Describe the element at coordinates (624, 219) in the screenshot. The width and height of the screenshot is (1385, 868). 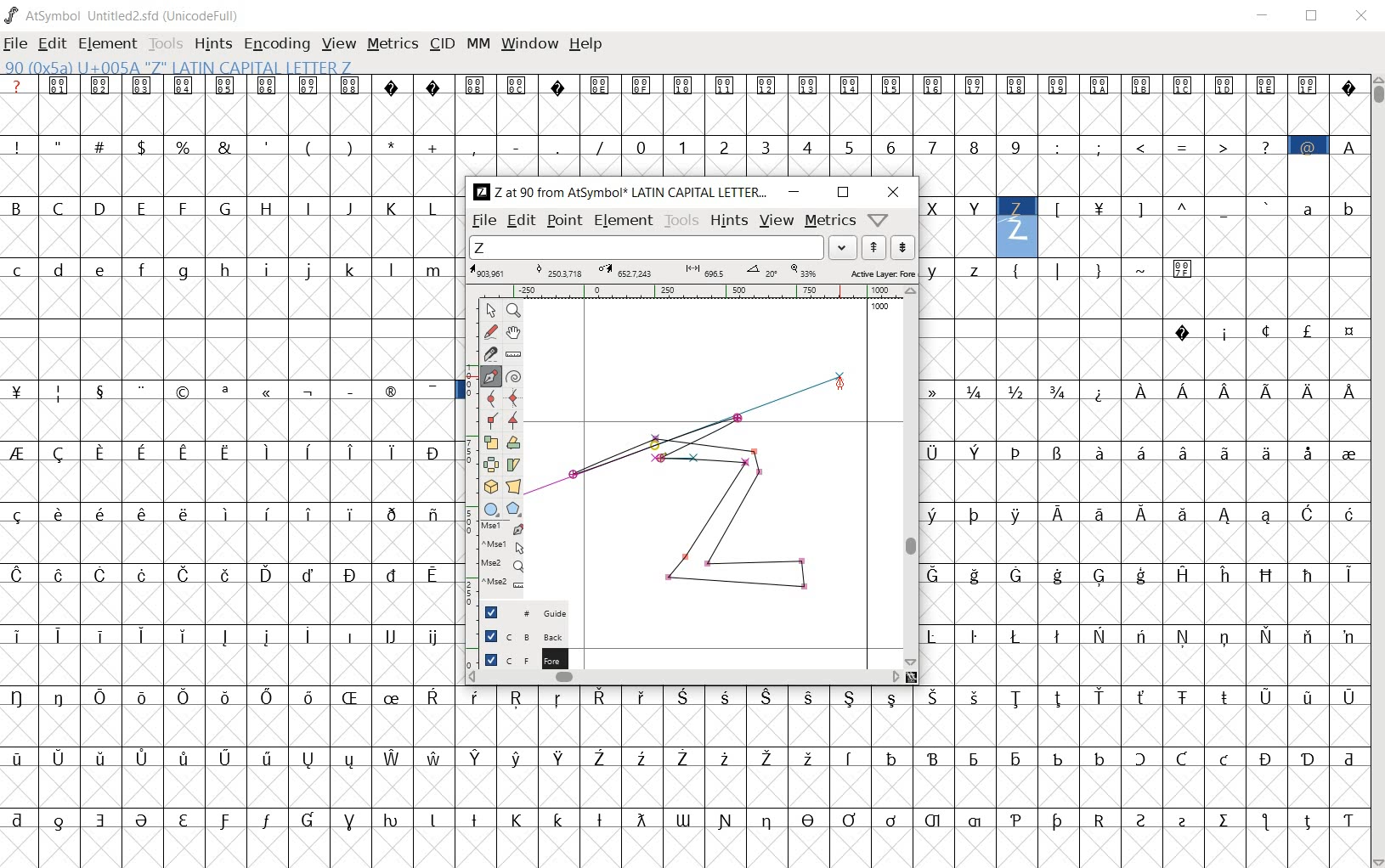
I see `element` at that location.